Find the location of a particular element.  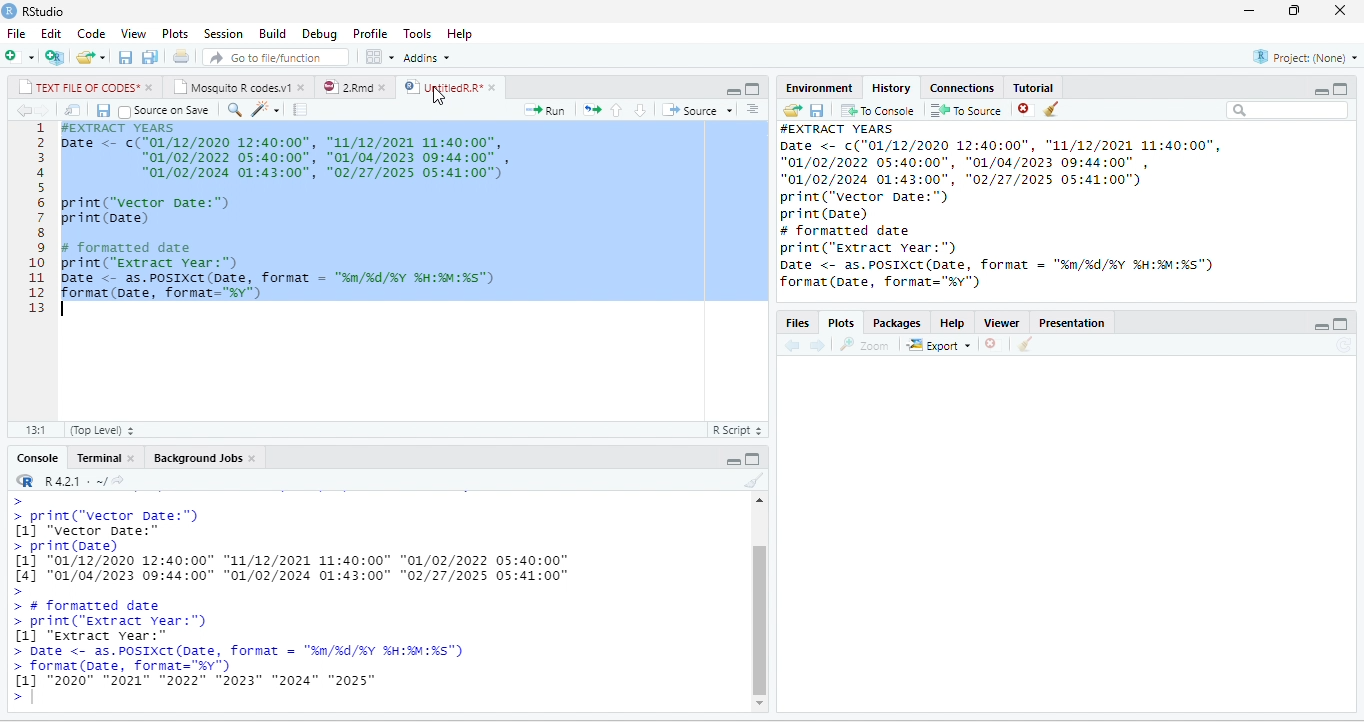

scroll down is located at coordinates (760, 703).